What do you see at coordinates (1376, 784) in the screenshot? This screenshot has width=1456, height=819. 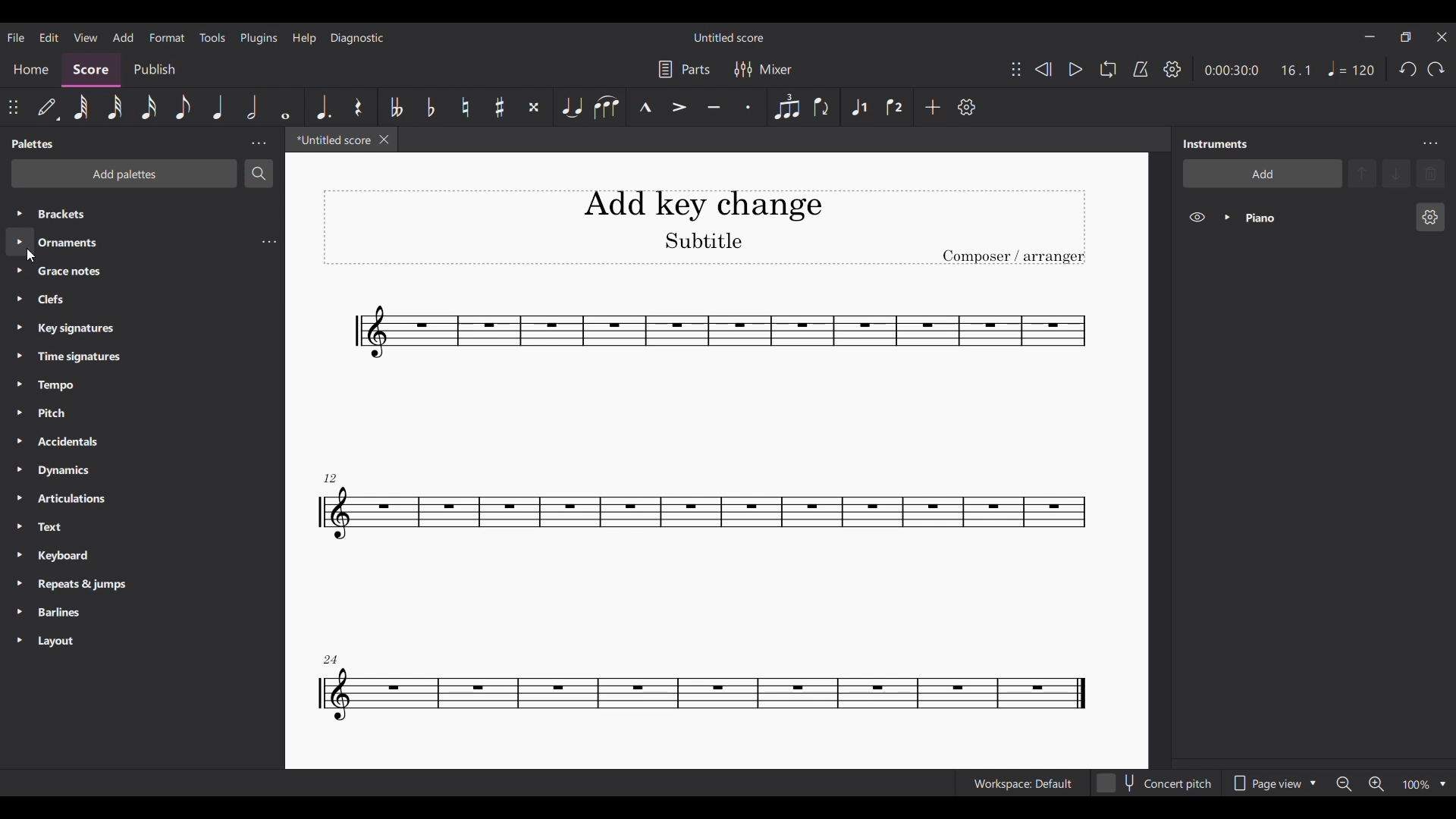 I see `Zoom in` at bounding box center [1376, 784].